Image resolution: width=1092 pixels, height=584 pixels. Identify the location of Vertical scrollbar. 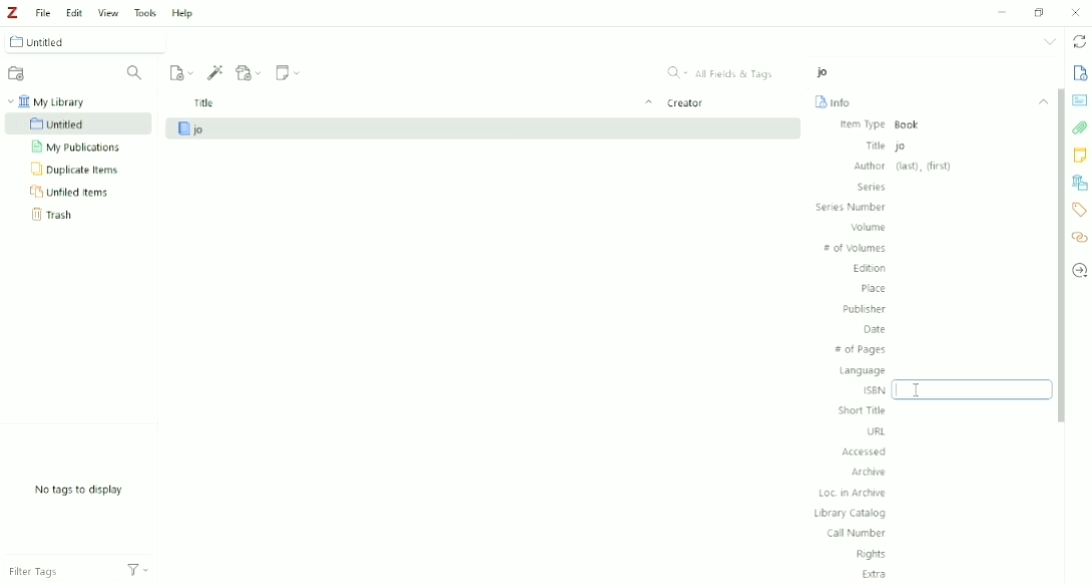
(1058, 255).